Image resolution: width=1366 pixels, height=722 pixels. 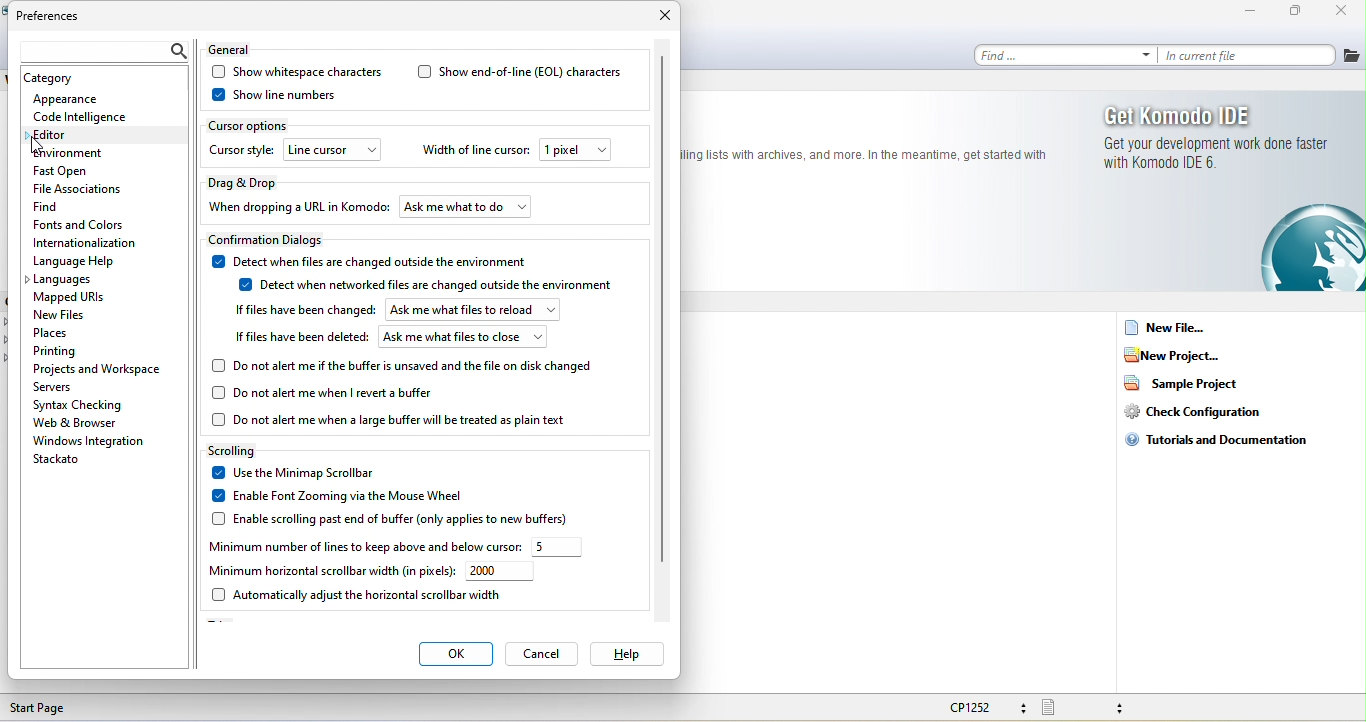 What do you see at coordinates (252, 125) in the screenshot?
I see `cursor options` at bounding box center [252, 125].